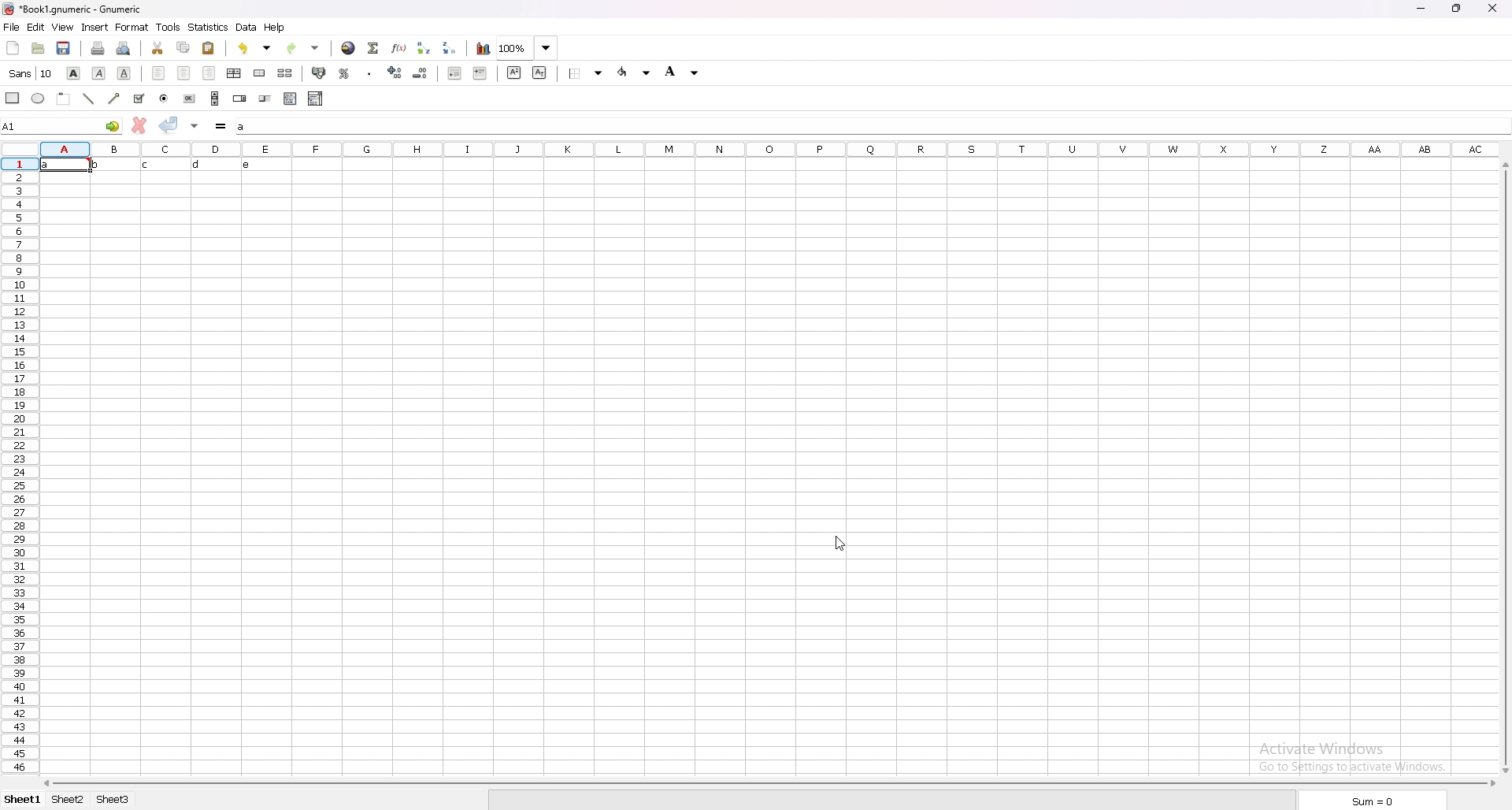 Image resolution: width=1512 pixels, height=810 pixels. I want to click on thousand separator, so click(370, 72).